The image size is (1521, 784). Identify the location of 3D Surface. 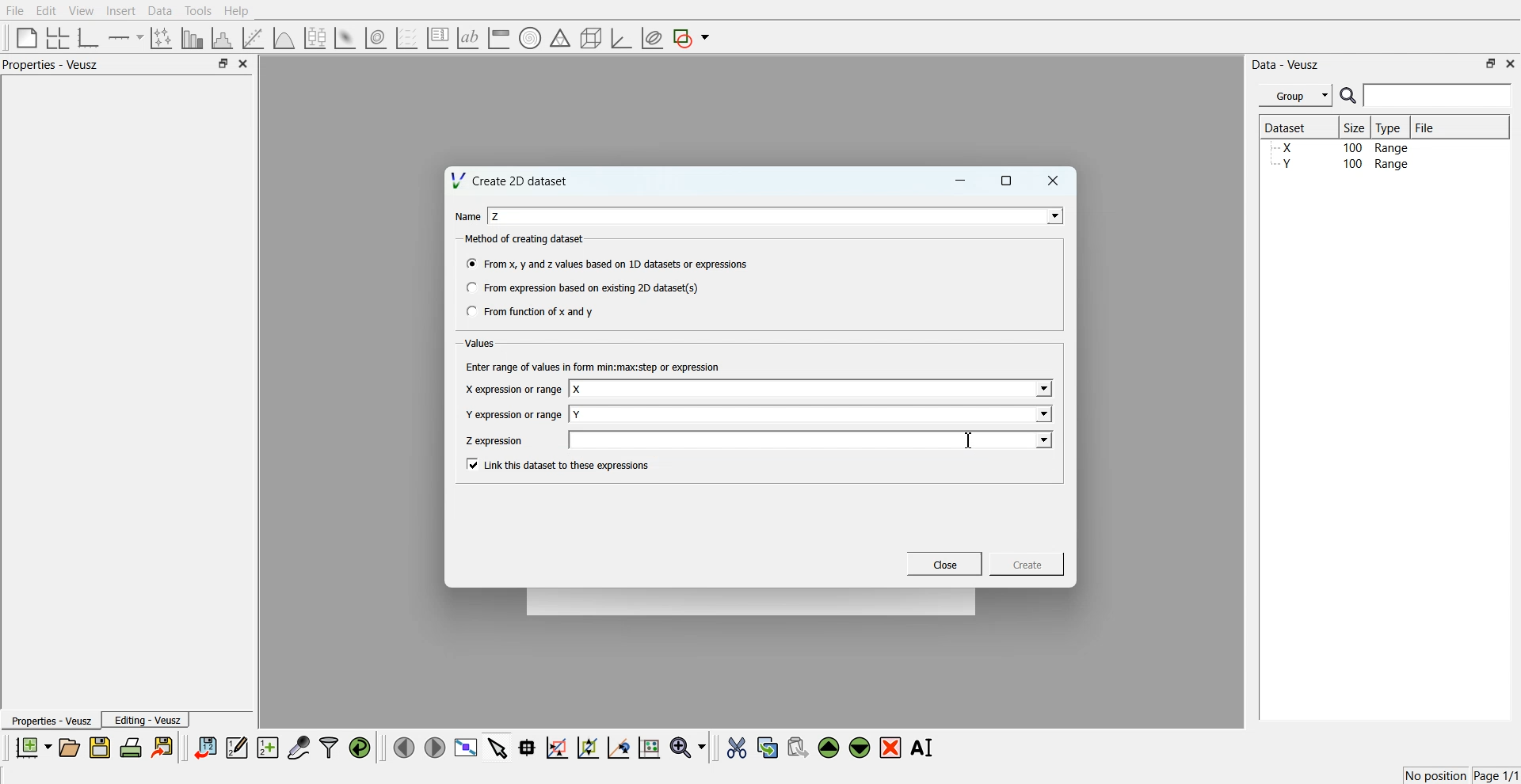
(345, 38).